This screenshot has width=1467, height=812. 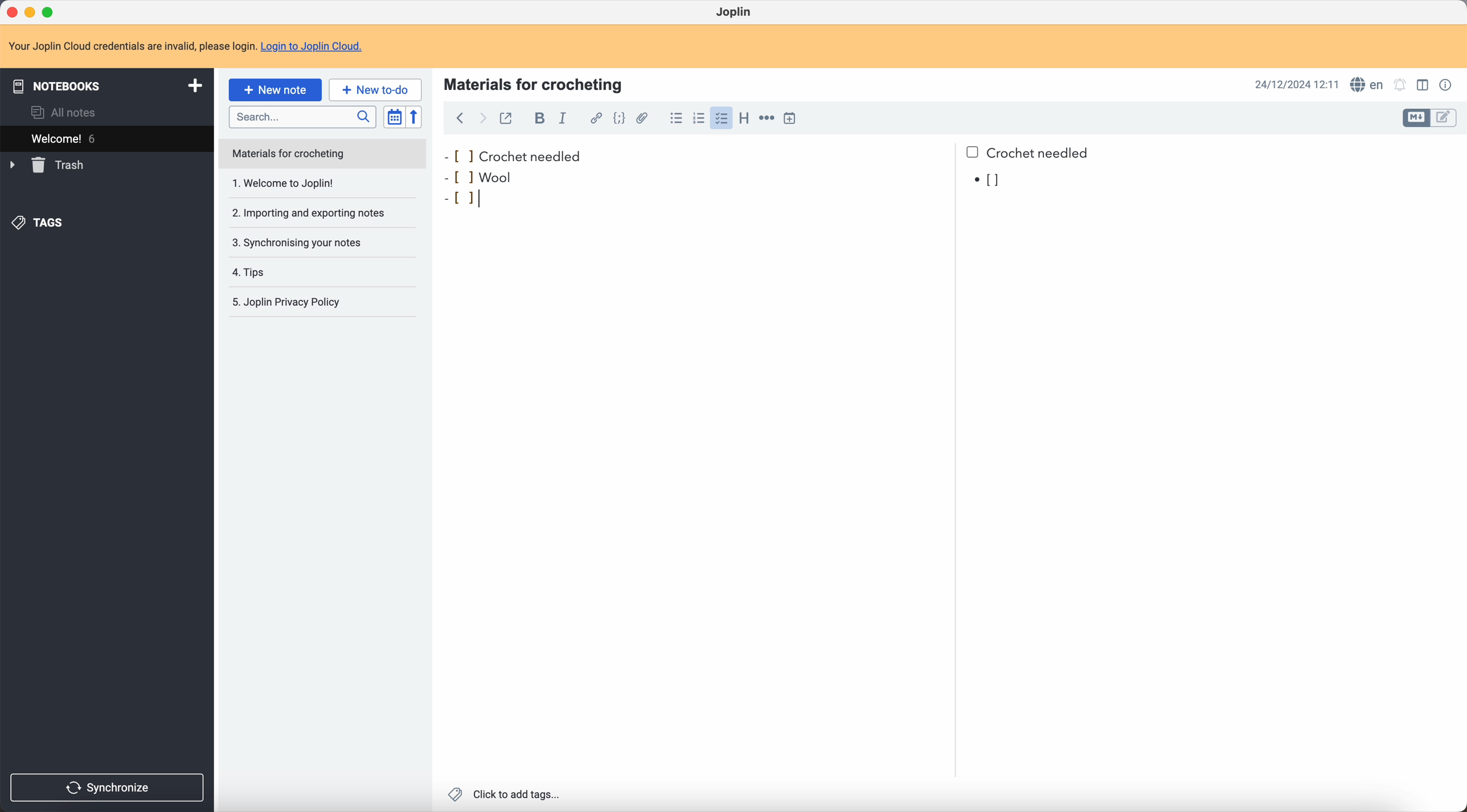 I want to click on date and hour, so click(x=1297, y=84).